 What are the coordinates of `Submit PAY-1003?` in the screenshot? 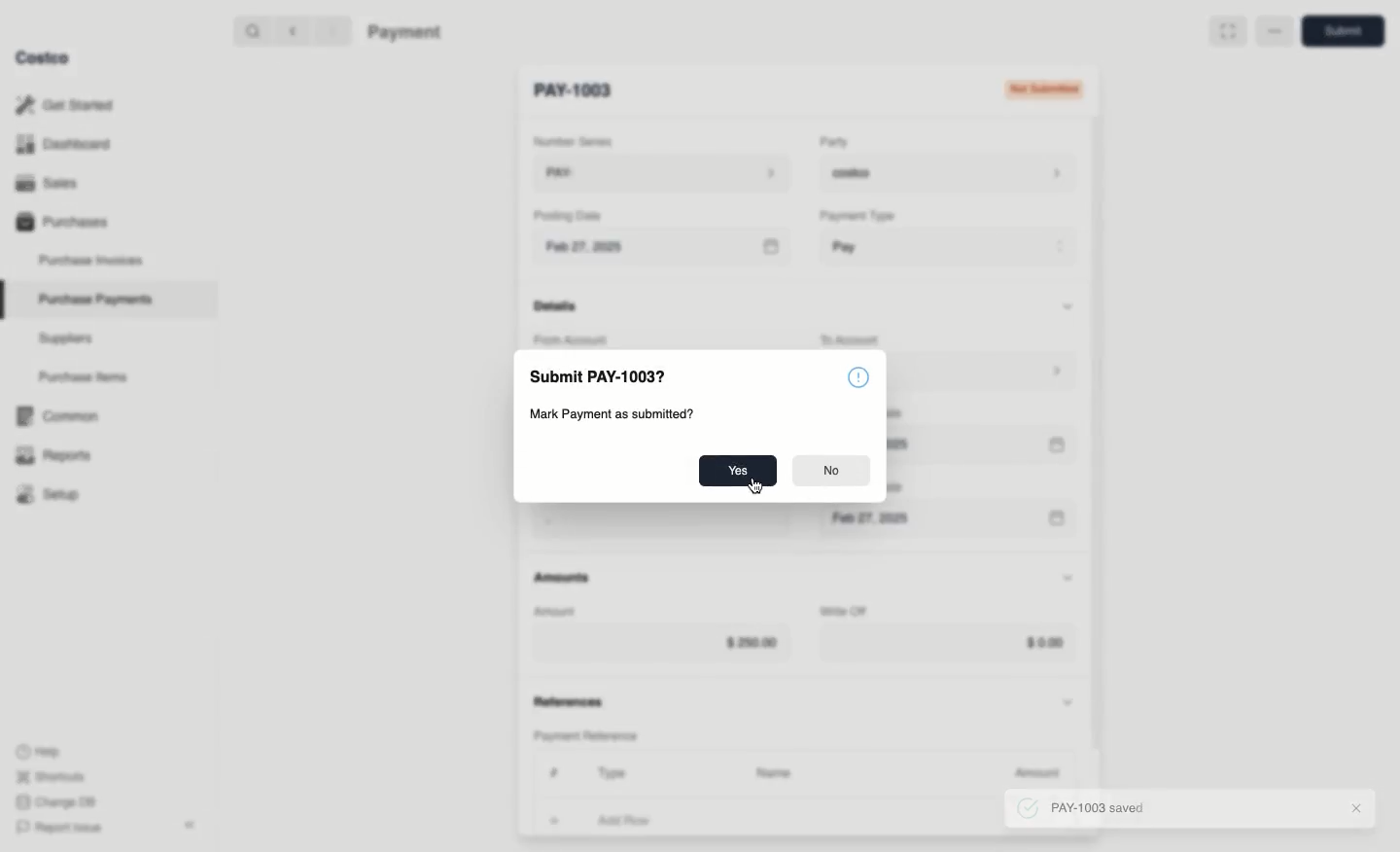 It's located at (597, 378).